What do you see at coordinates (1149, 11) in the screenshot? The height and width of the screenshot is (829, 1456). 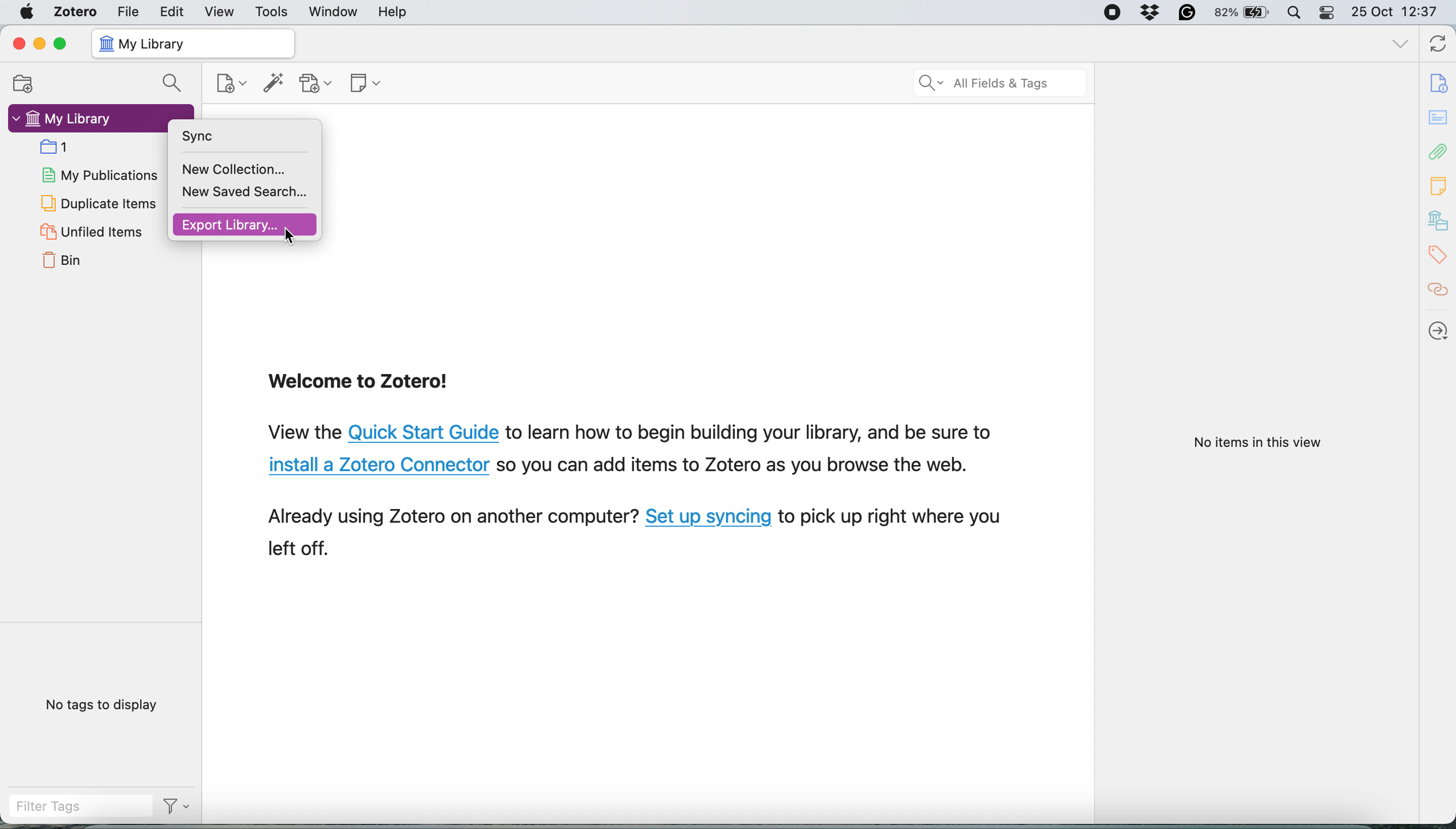 I see `Dropbox` at bounding box center [1149, 11].